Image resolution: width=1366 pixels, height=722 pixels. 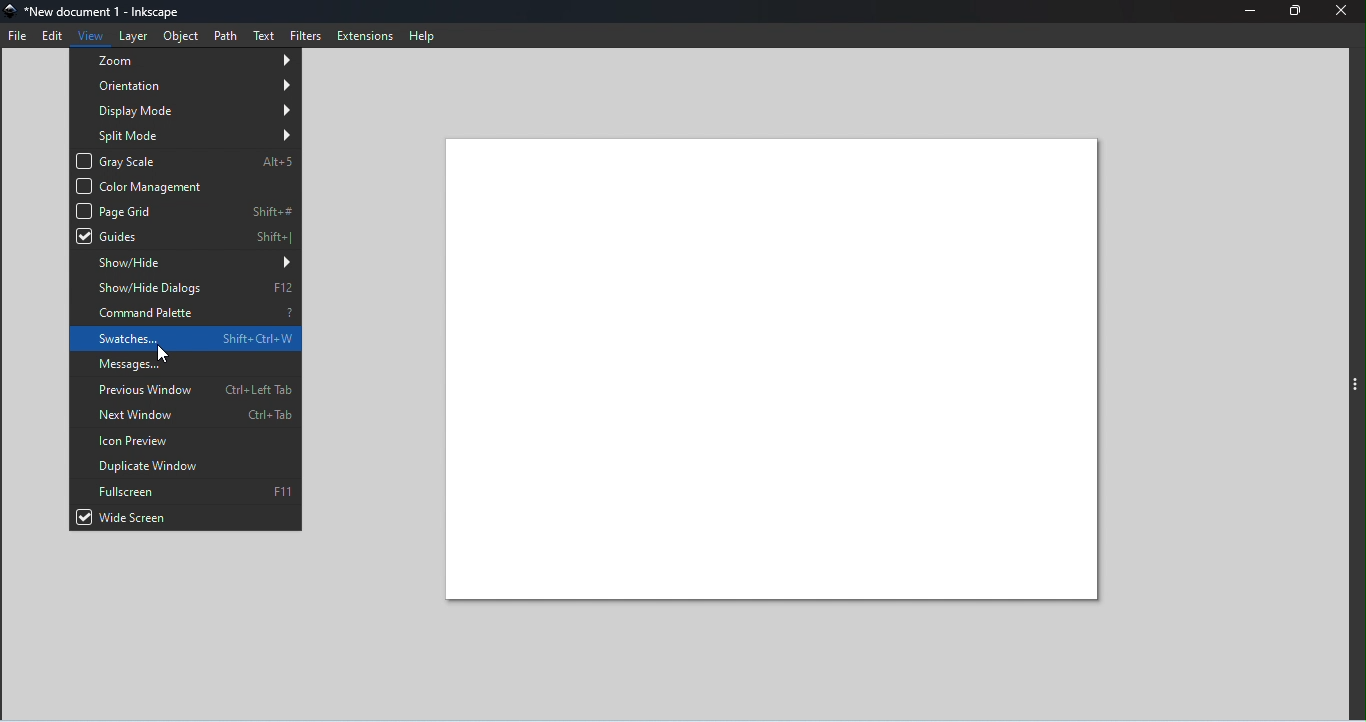 I want to click on File, so click(x=19, y=37).